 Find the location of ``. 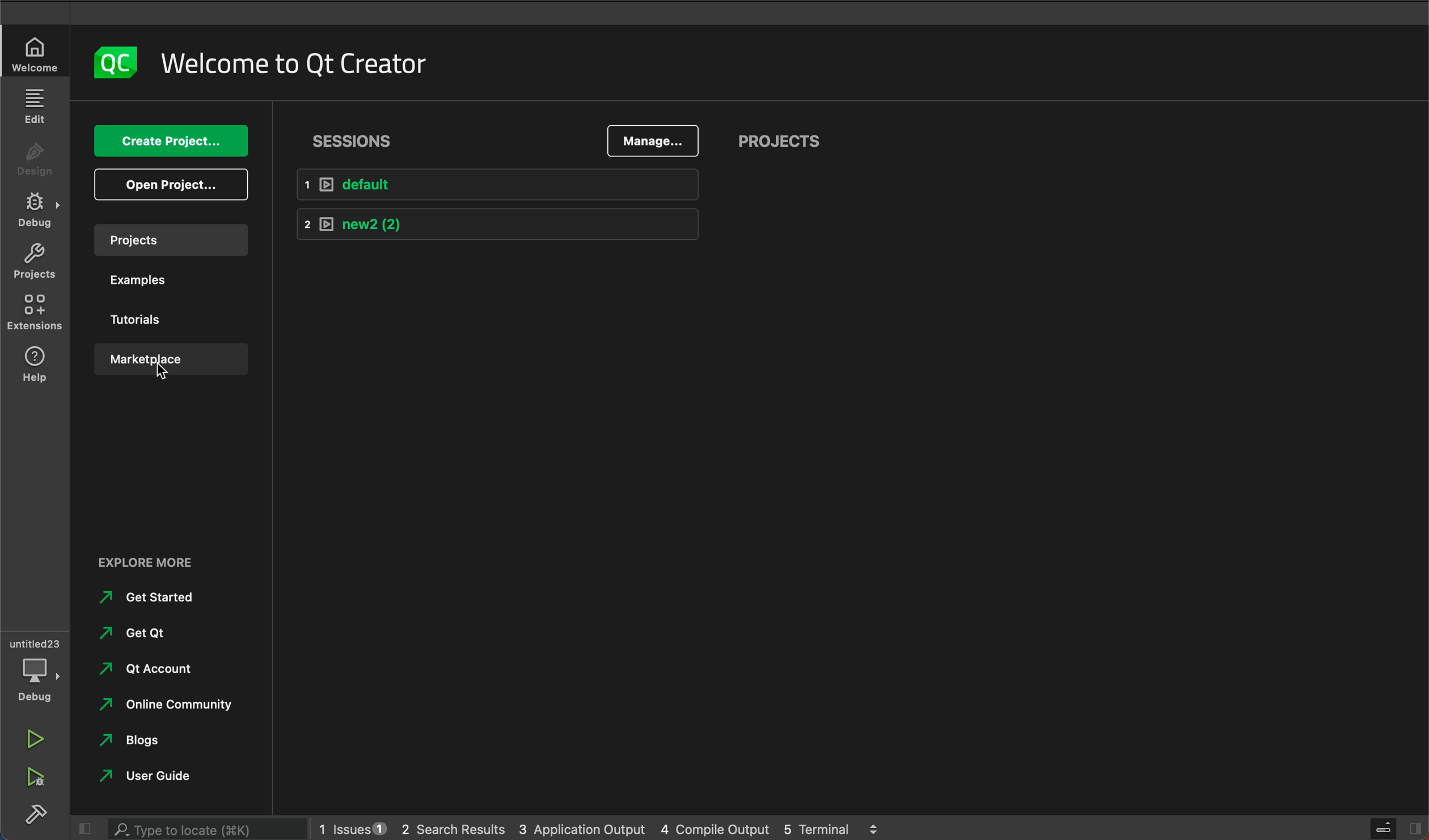

 is located at coordinates (151, 632).